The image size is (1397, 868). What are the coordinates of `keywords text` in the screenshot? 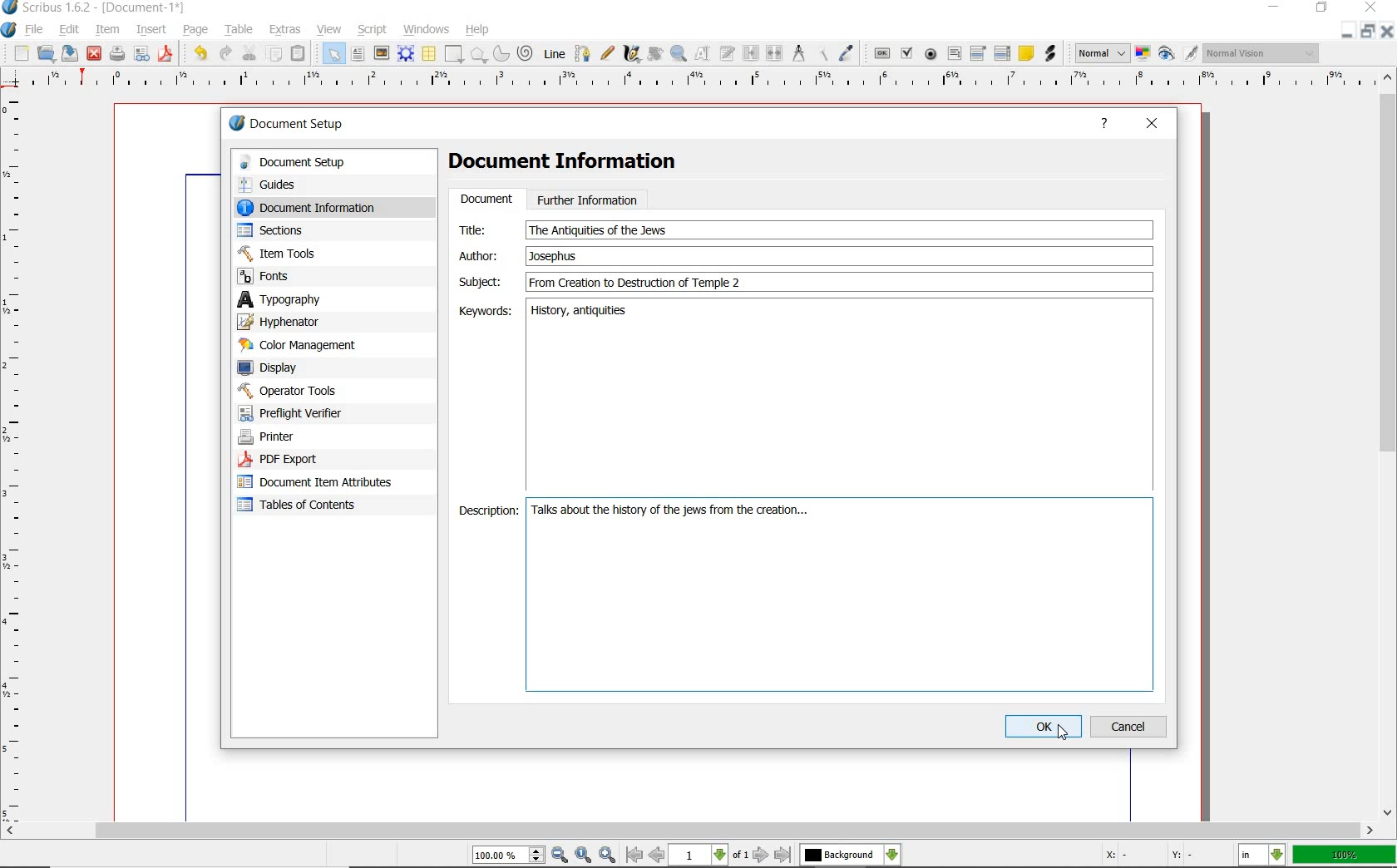 It's located at (581, 313).